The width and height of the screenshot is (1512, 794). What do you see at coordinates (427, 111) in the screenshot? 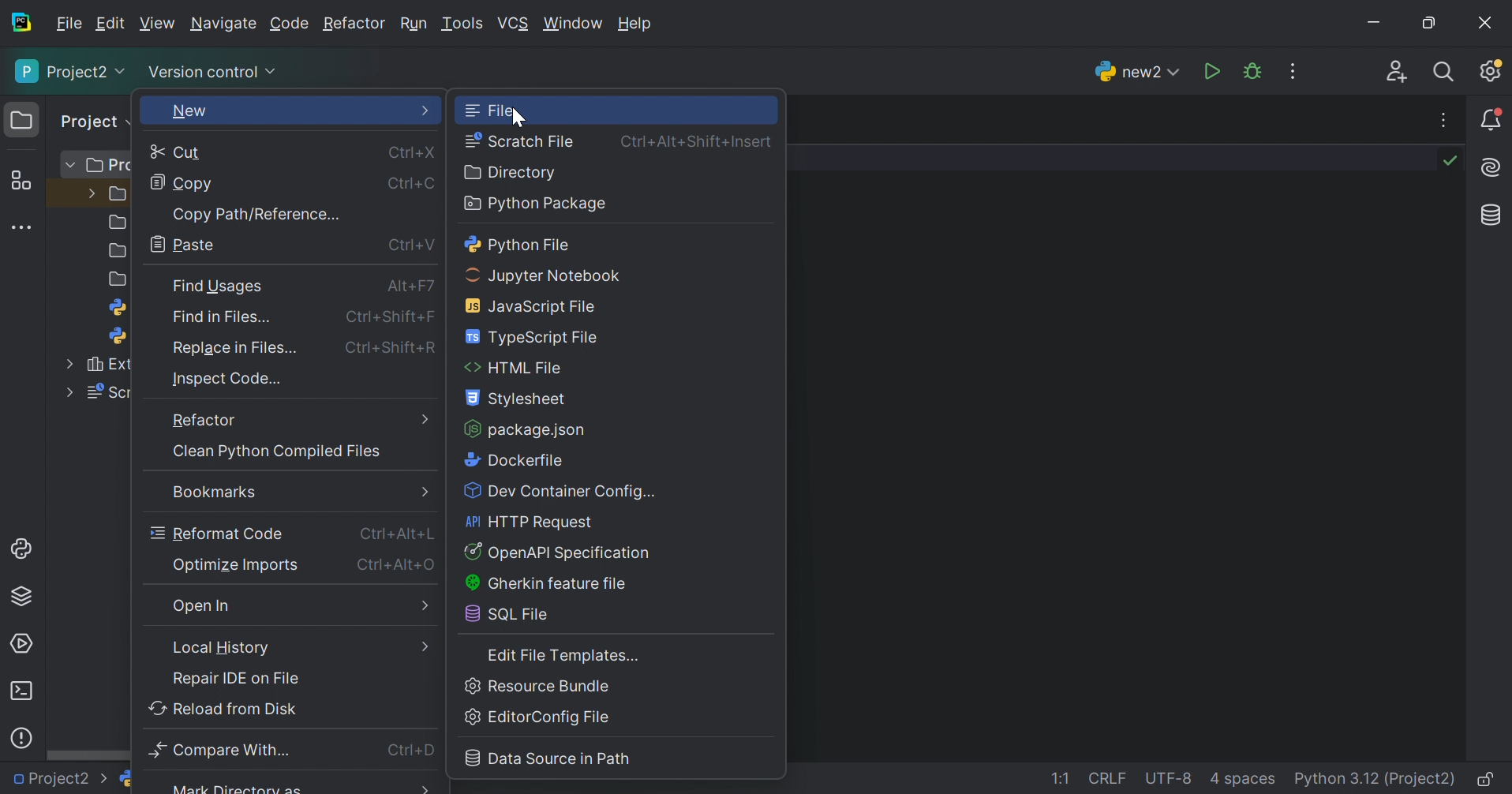
I see `More` at bounding box center [427, 111].